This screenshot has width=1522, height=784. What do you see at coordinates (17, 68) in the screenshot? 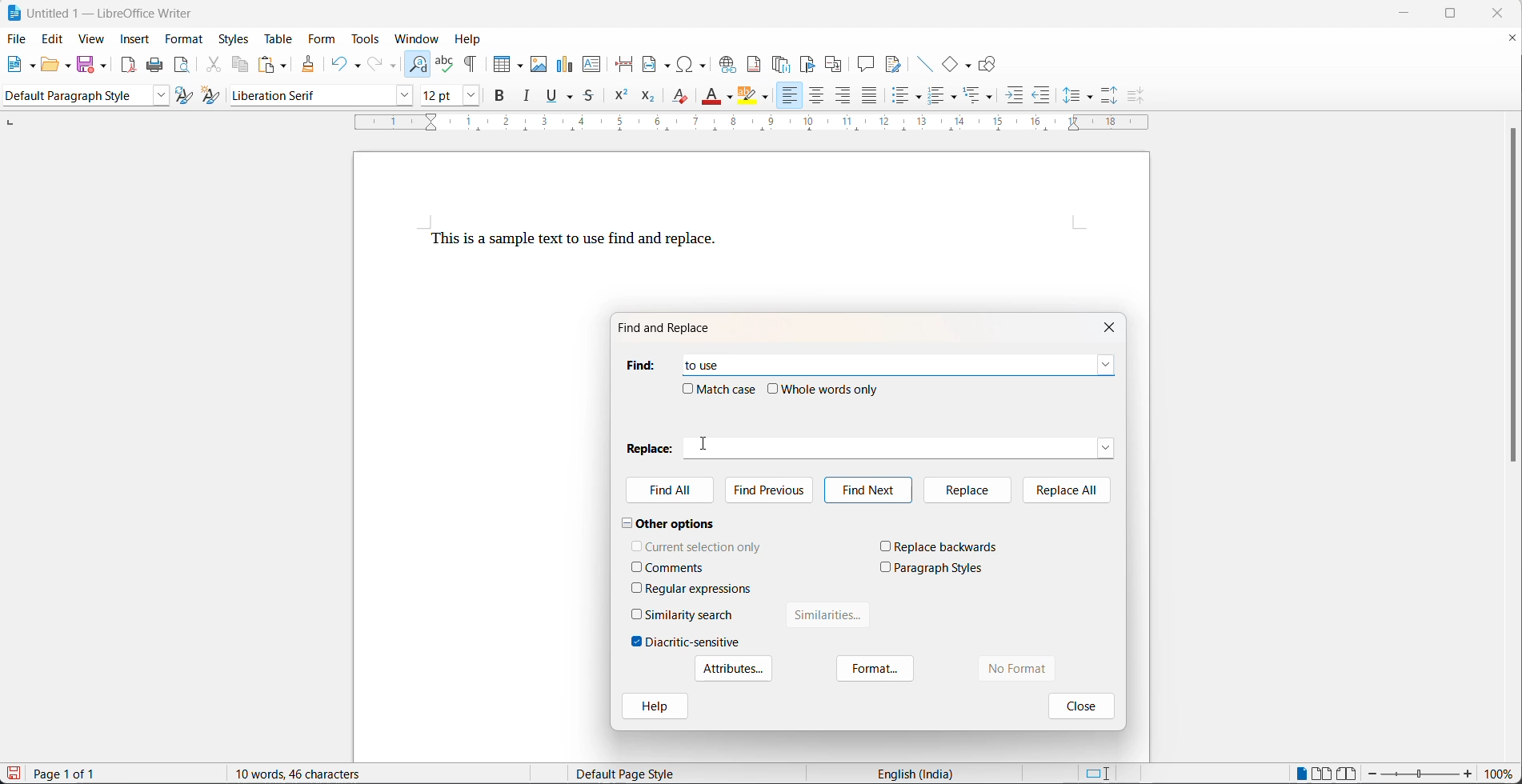
I see `new file` at bounding box center [17, 68].